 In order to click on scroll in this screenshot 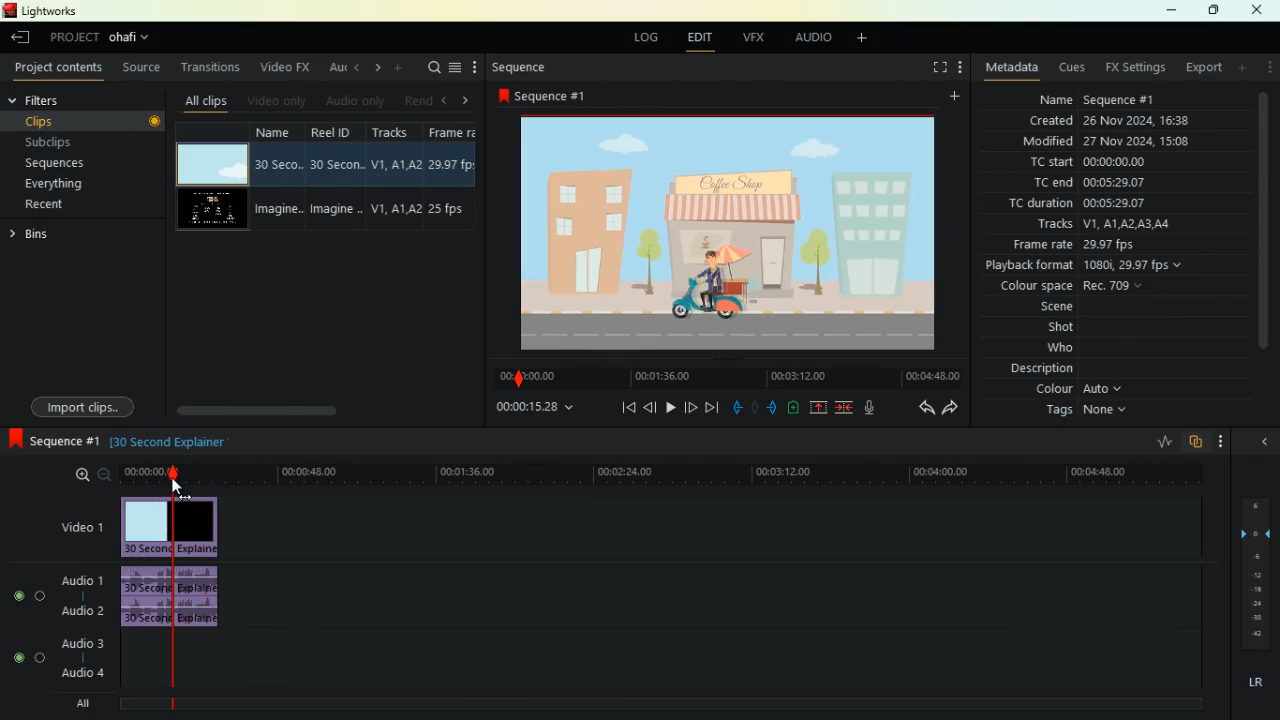, I will do `click(305, 410)`.